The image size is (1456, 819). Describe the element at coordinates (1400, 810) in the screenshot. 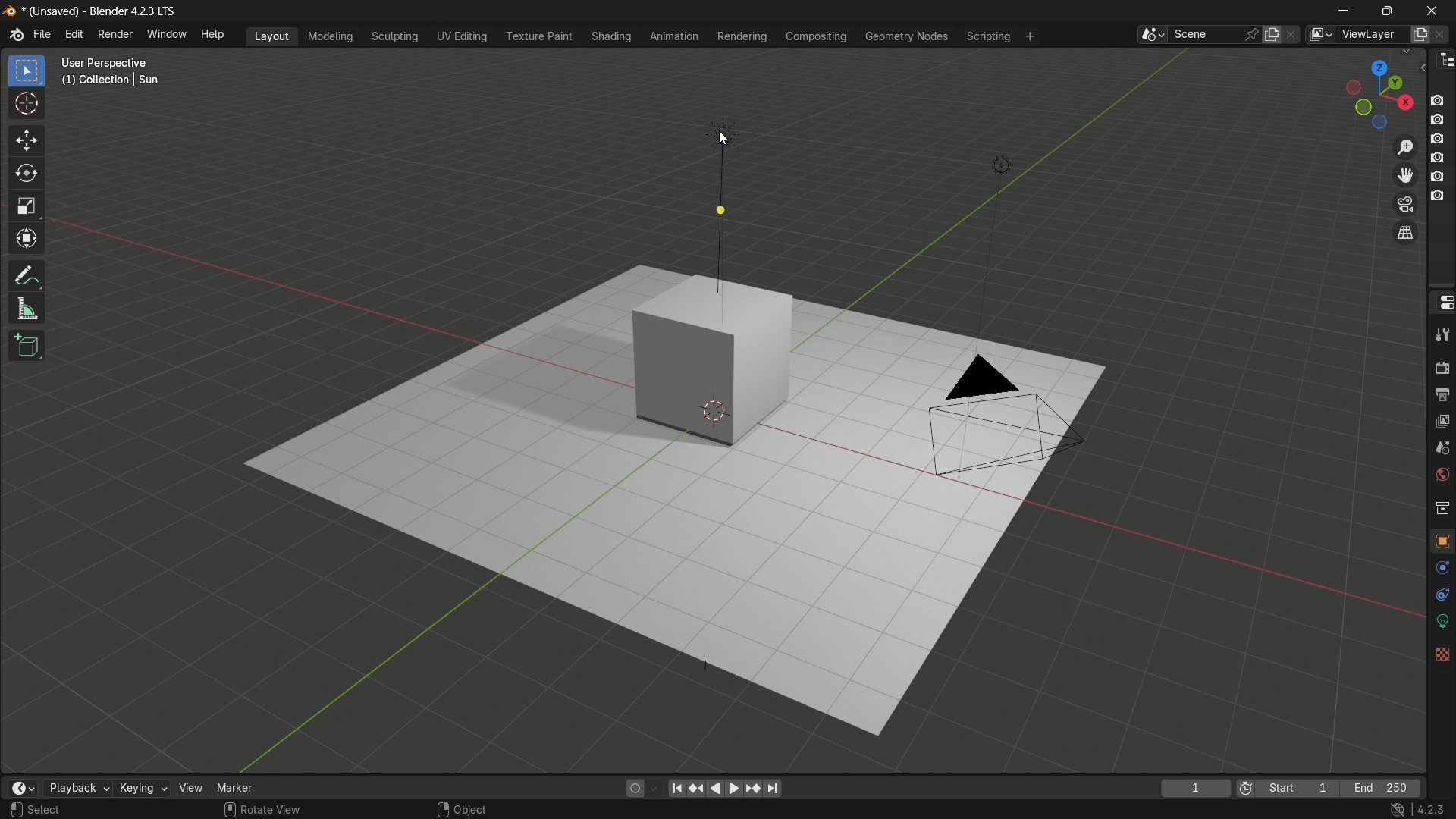

I see `no internet icon` at that location.